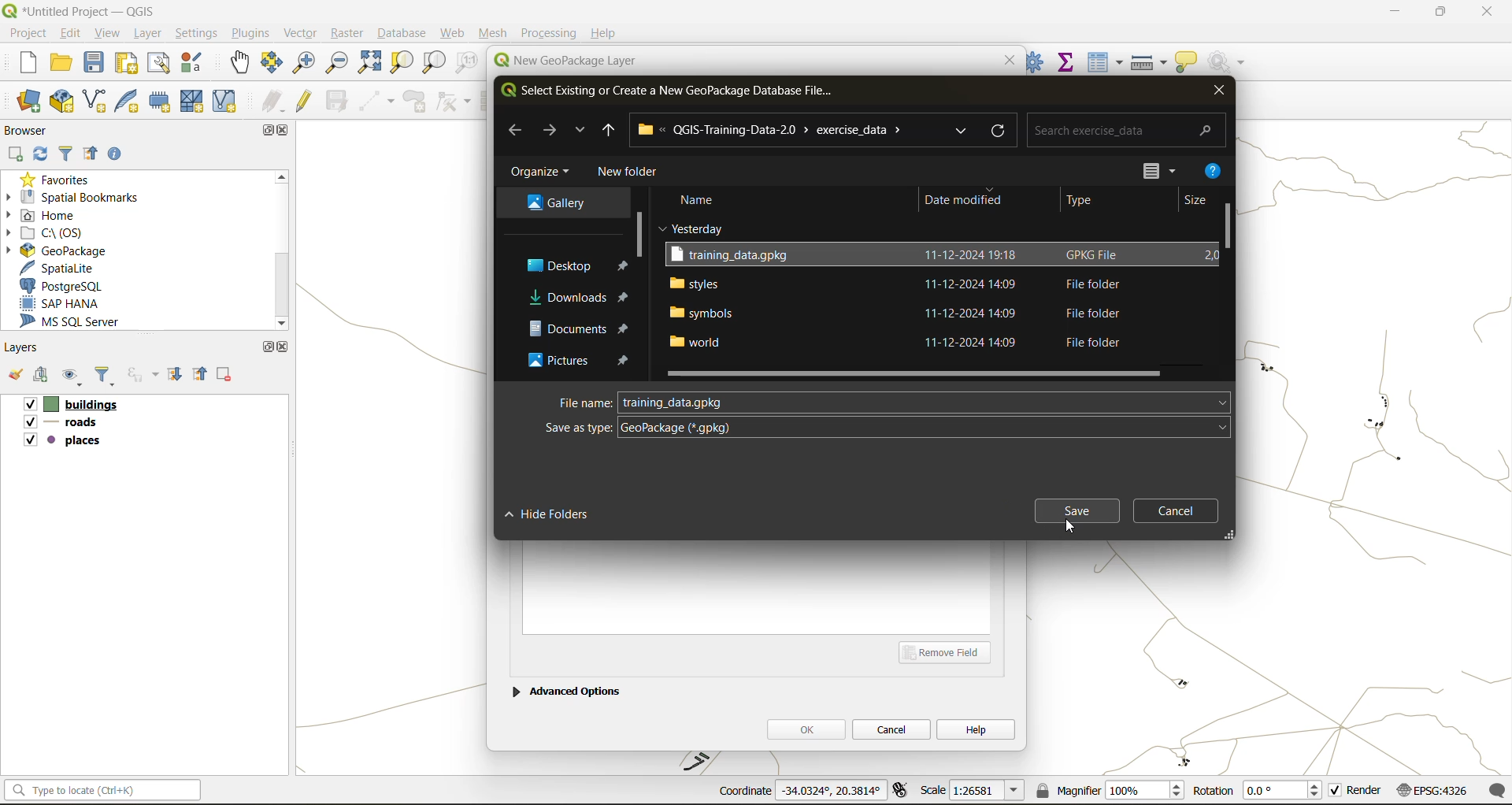 This screenshot has height=805, width=1512. I want to click on filter by expression, so click(145, 374).